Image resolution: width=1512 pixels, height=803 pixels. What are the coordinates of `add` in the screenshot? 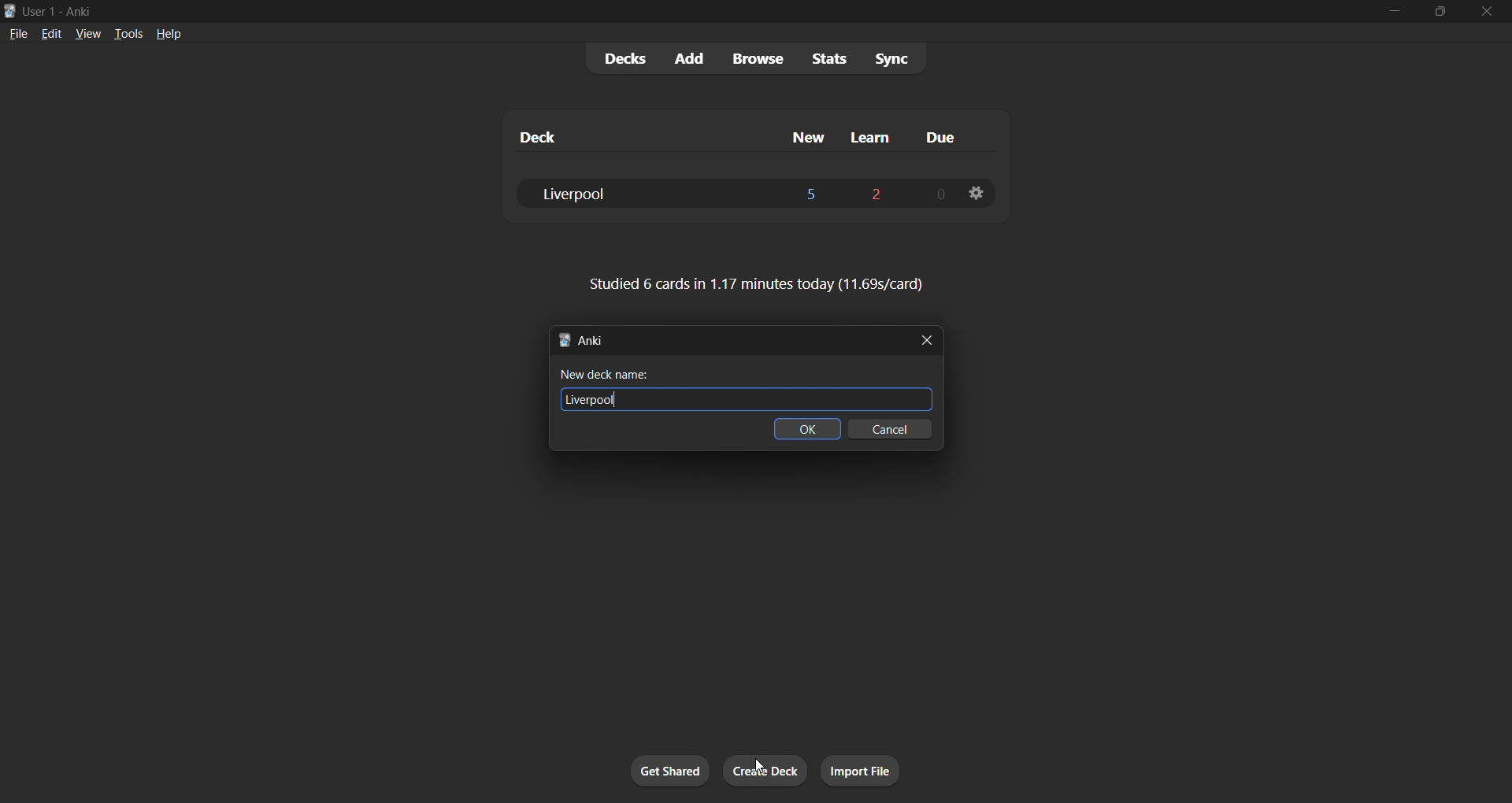 It's located at (684, 59).